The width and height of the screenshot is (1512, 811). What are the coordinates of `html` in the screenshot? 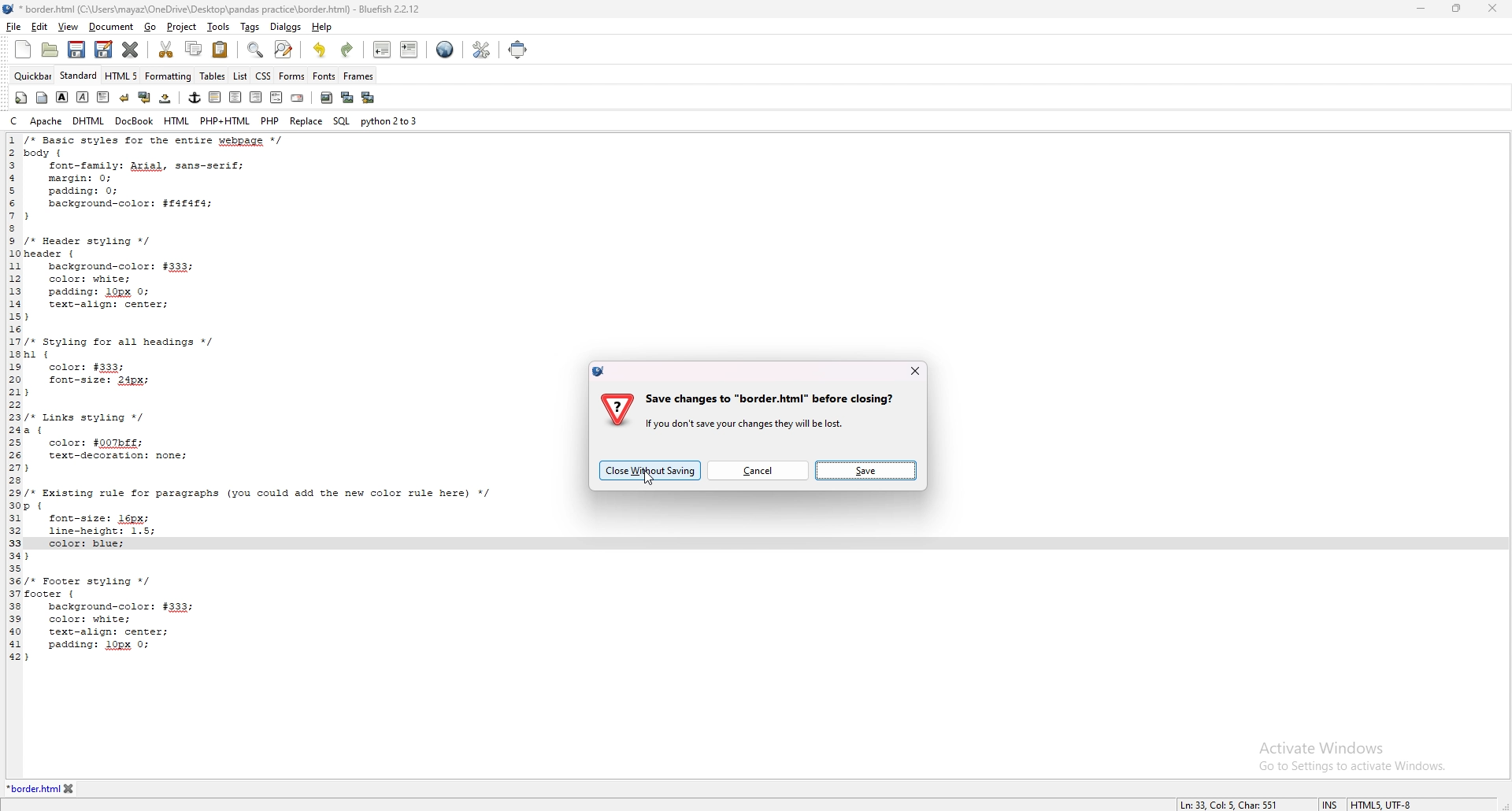 It's located at (176, 122).